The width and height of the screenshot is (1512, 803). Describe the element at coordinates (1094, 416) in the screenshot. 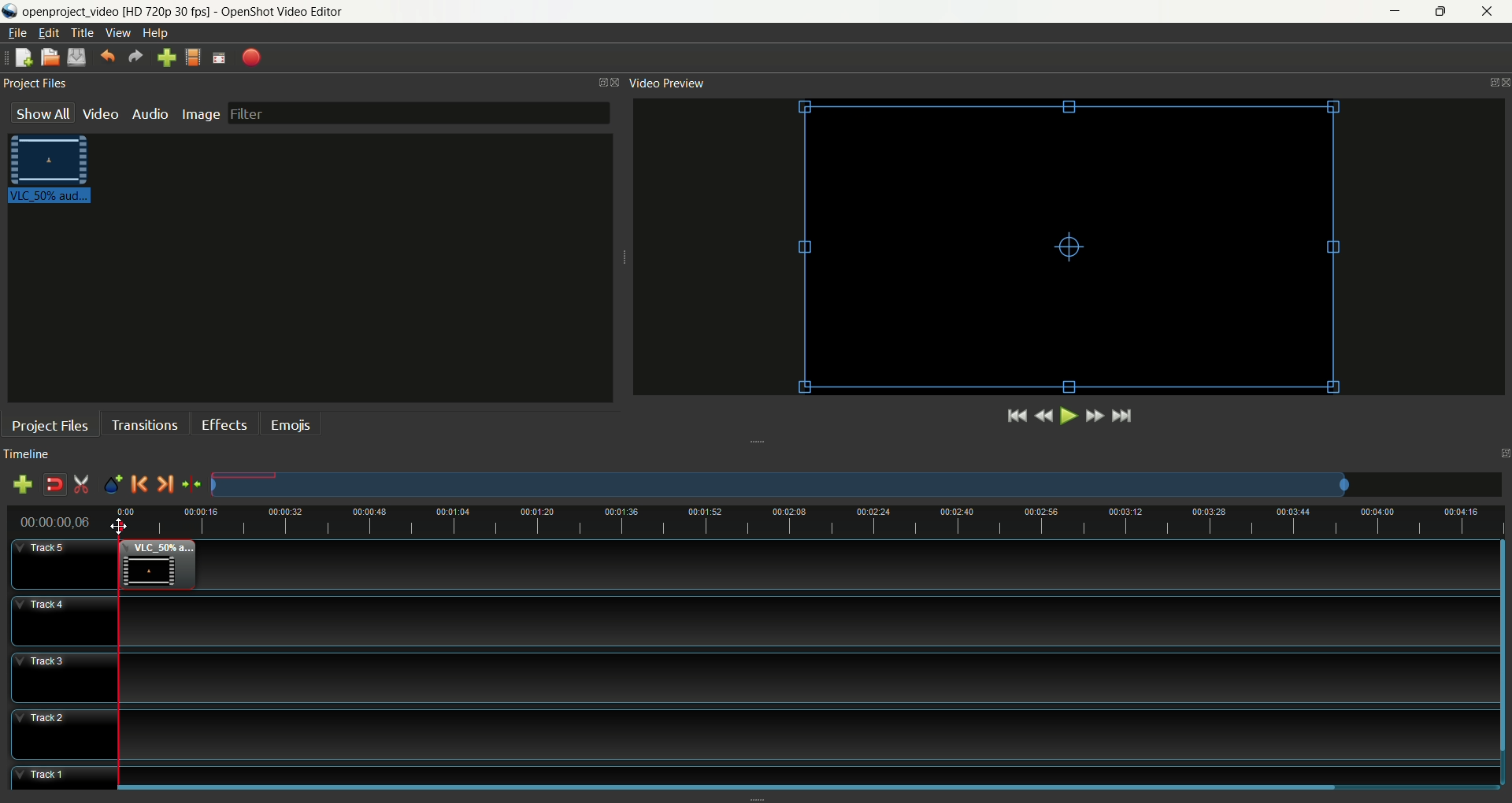

I see `fast forward` at that location.